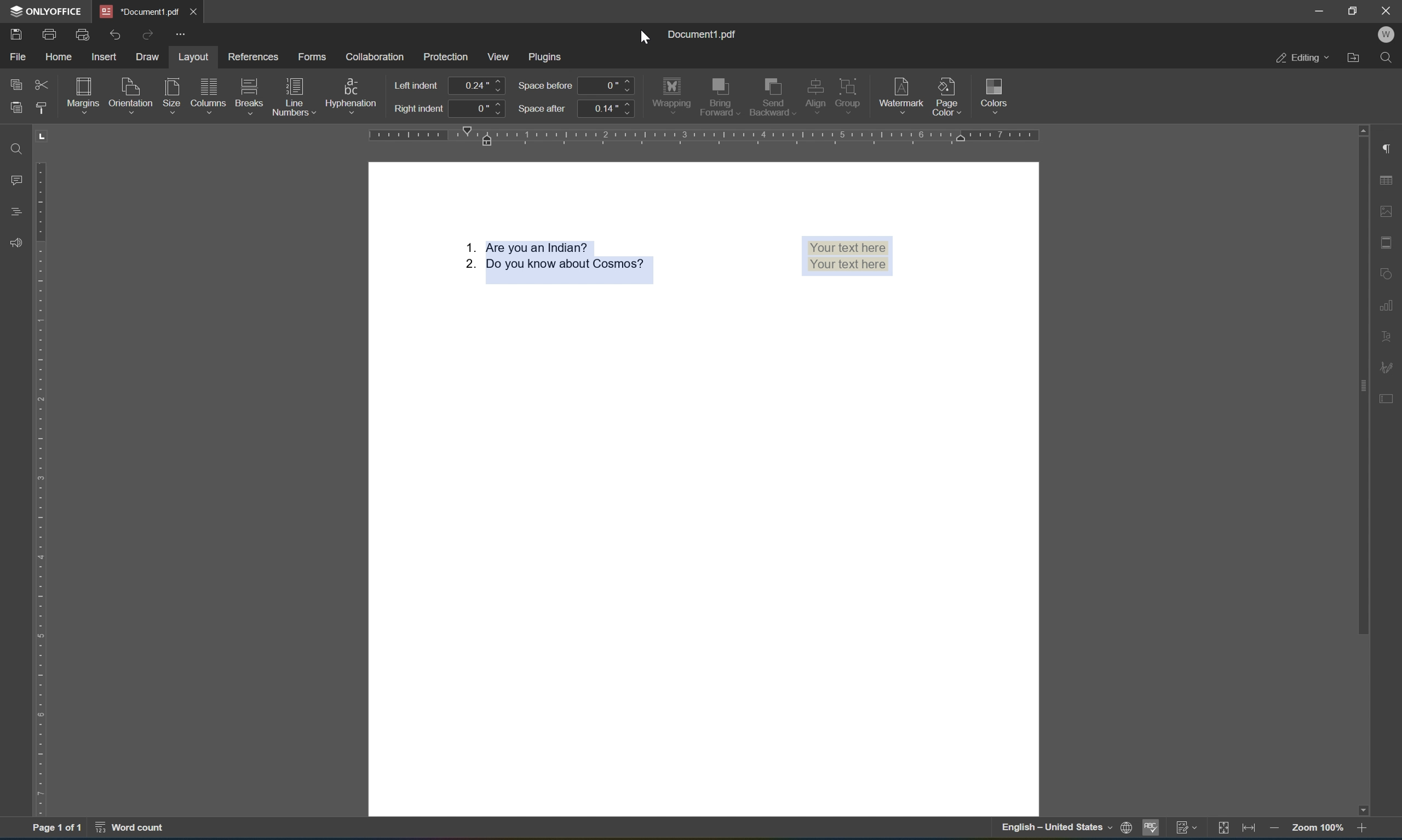 The width and height of the screenshot is (1402, 840). Describe the element at coordinates (902, 92) in the screenshot. I see `watermark` at that location.